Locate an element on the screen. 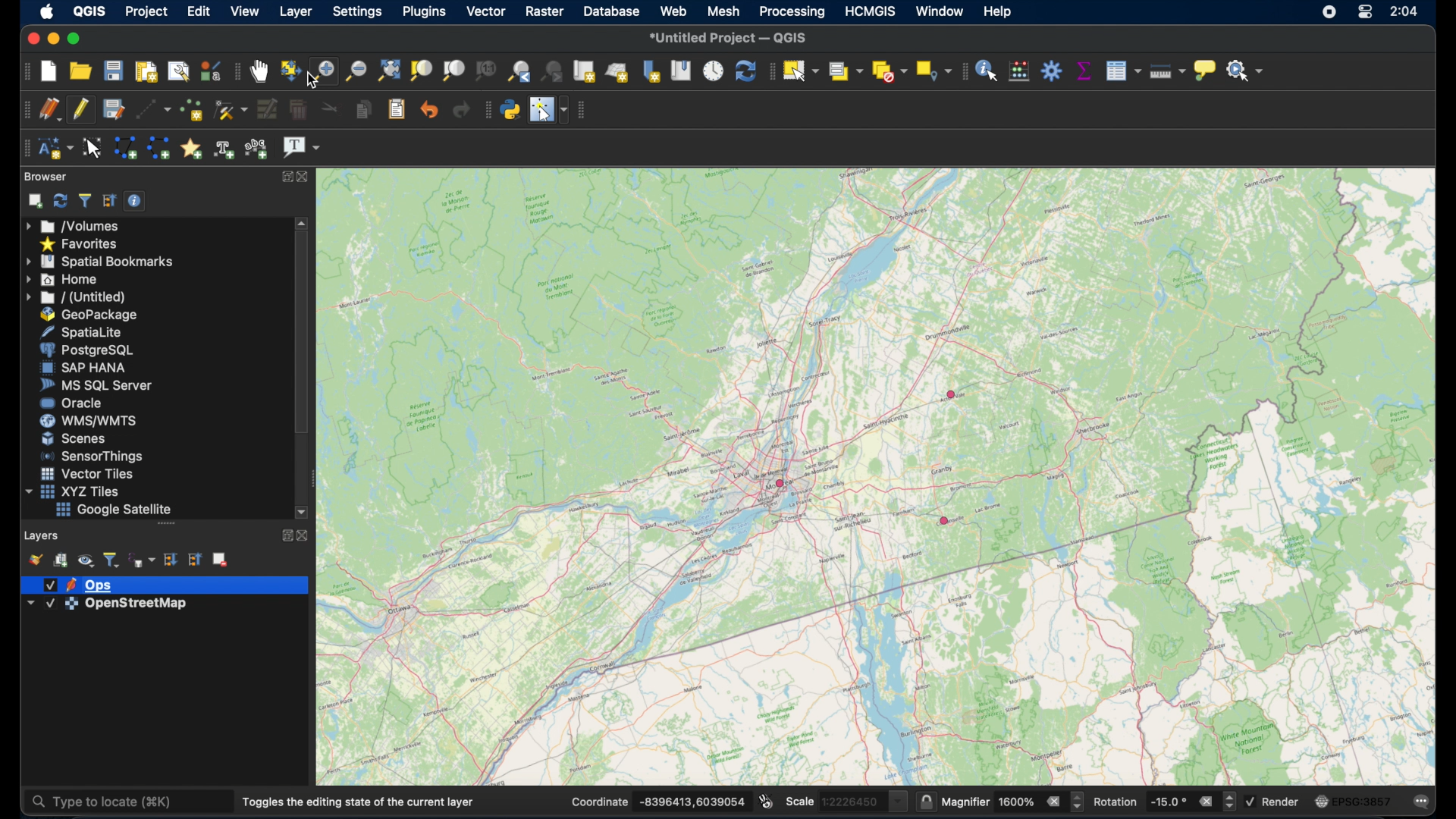 Image resolution: width=1456 pixels, height=819 pixels. HCMGIS is located at coordinates (868, 12).